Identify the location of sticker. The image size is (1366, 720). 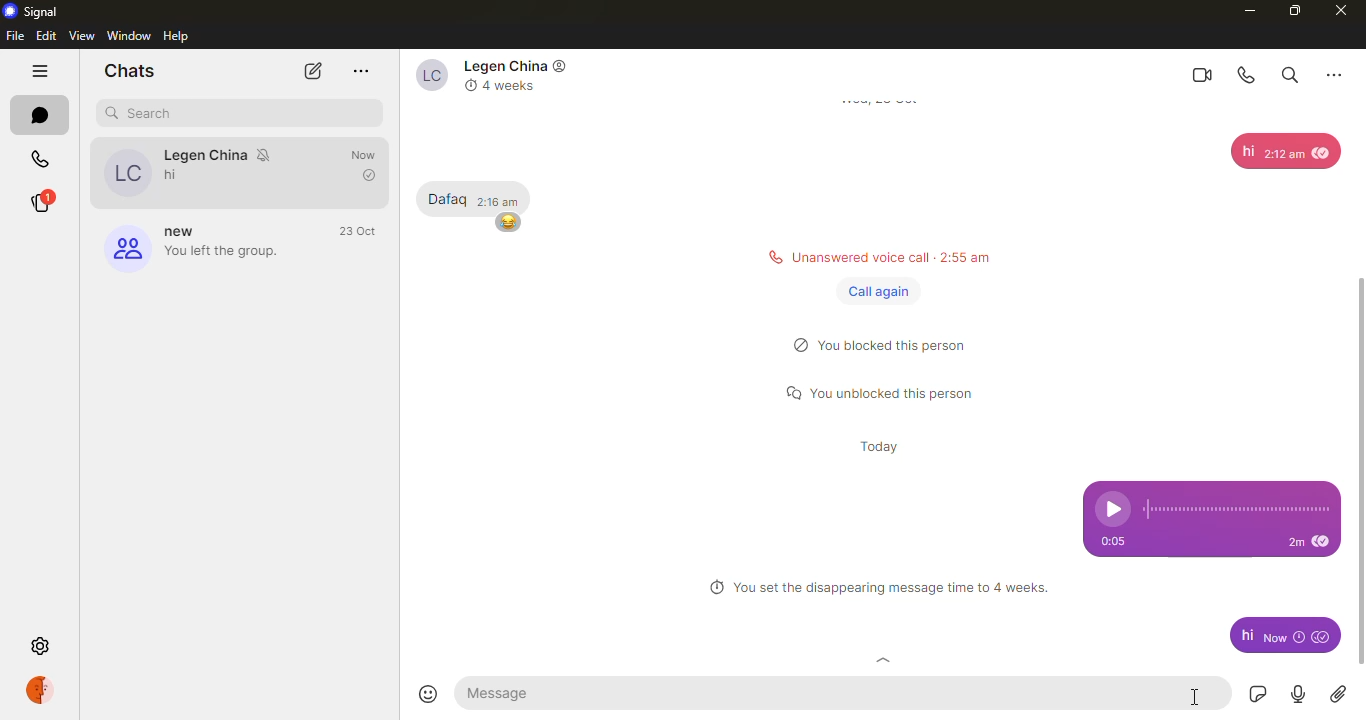
(1254, 694).